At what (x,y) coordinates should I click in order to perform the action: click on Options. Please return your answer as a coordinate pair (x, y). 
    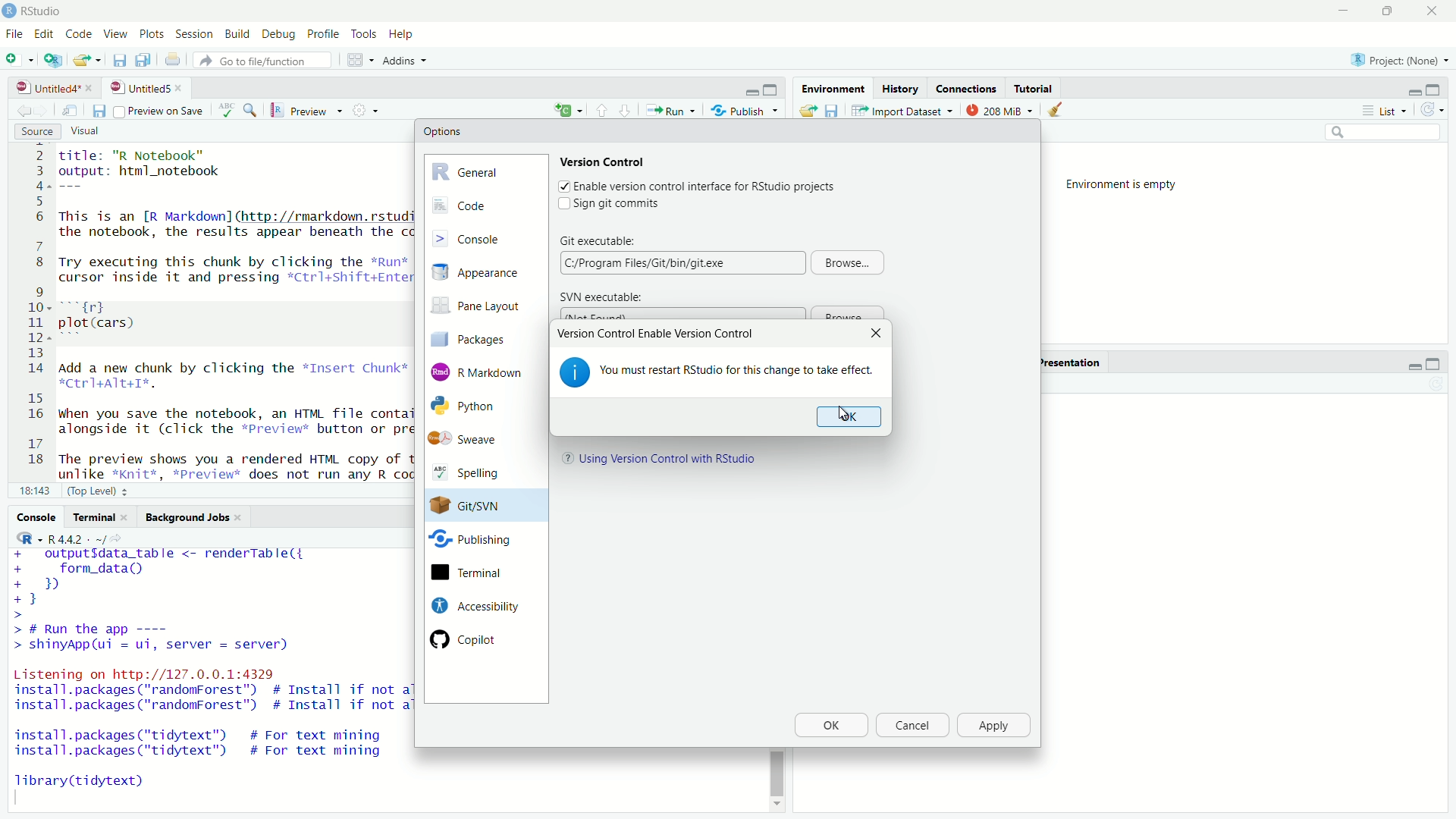
    Looking at the image, I should click on (443, 131).